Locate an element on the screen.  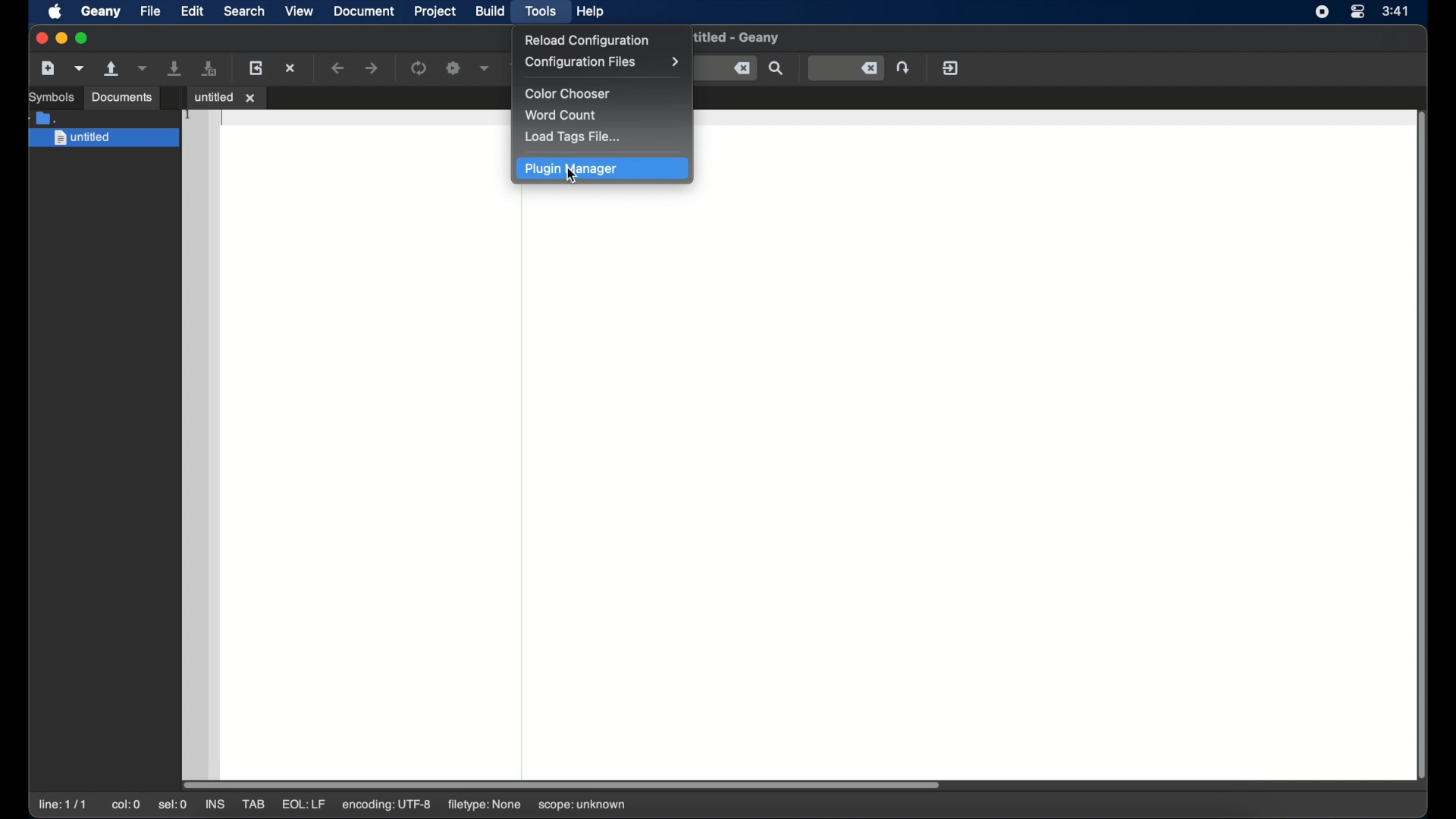
control center is located at coordinates (1359, 12).